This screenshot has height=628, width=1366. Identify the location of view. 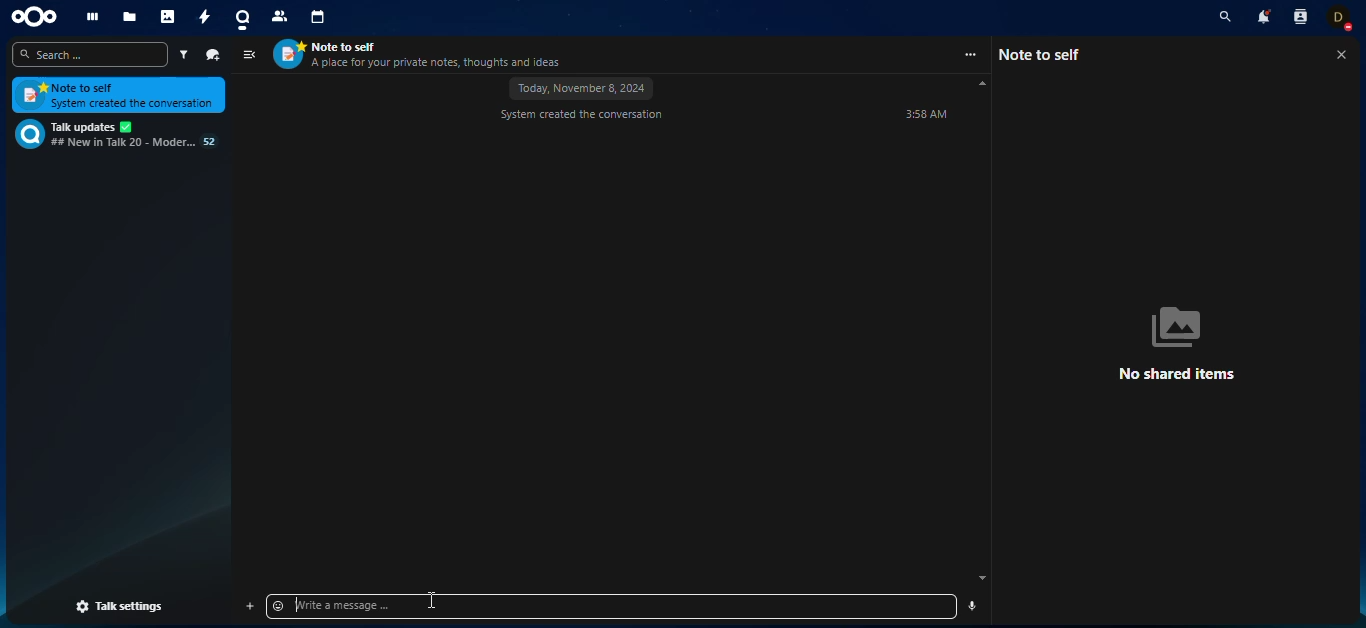
(249, 55).